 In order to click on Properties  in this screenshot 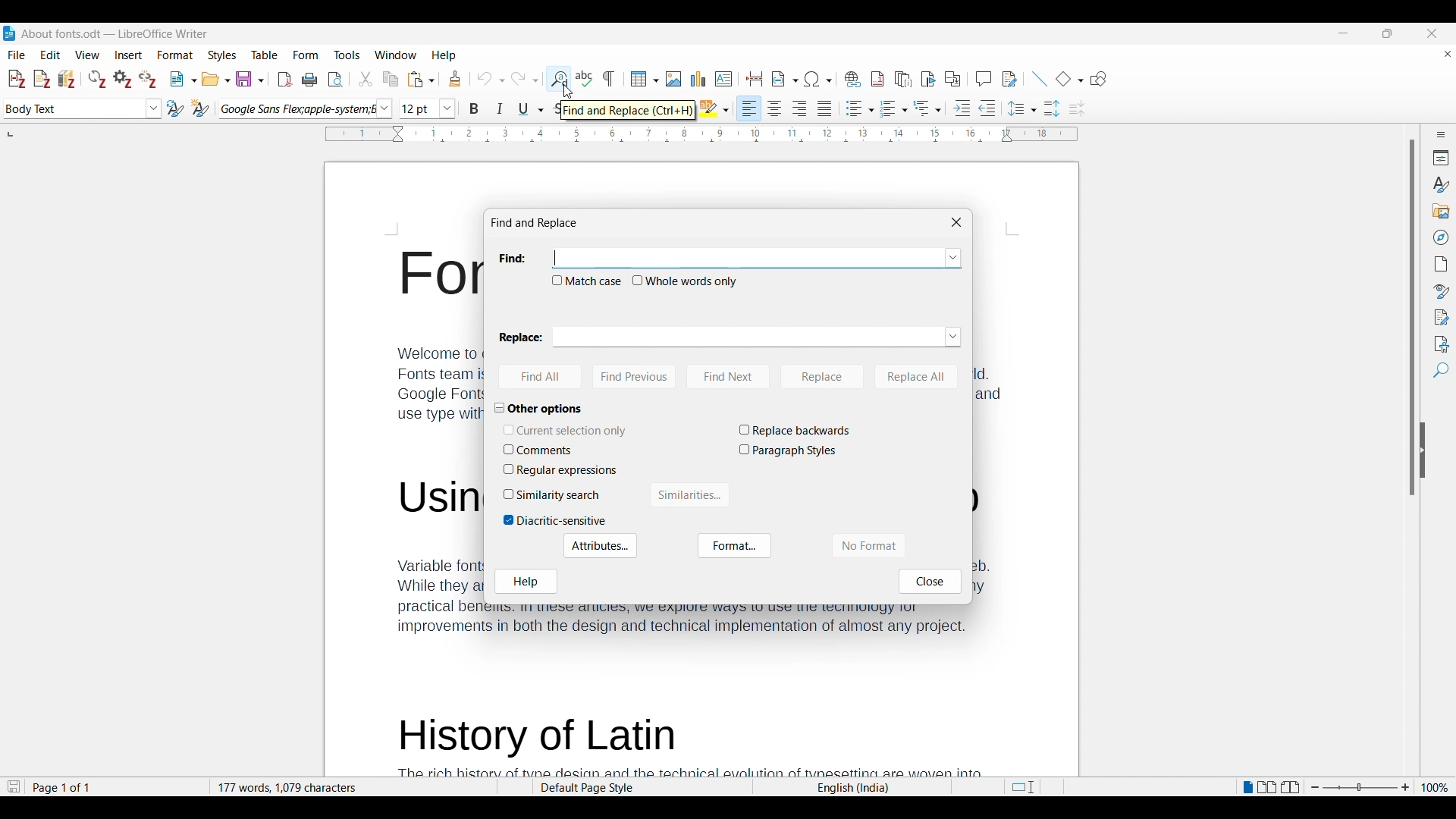, I will do `click(1439, 158)`.